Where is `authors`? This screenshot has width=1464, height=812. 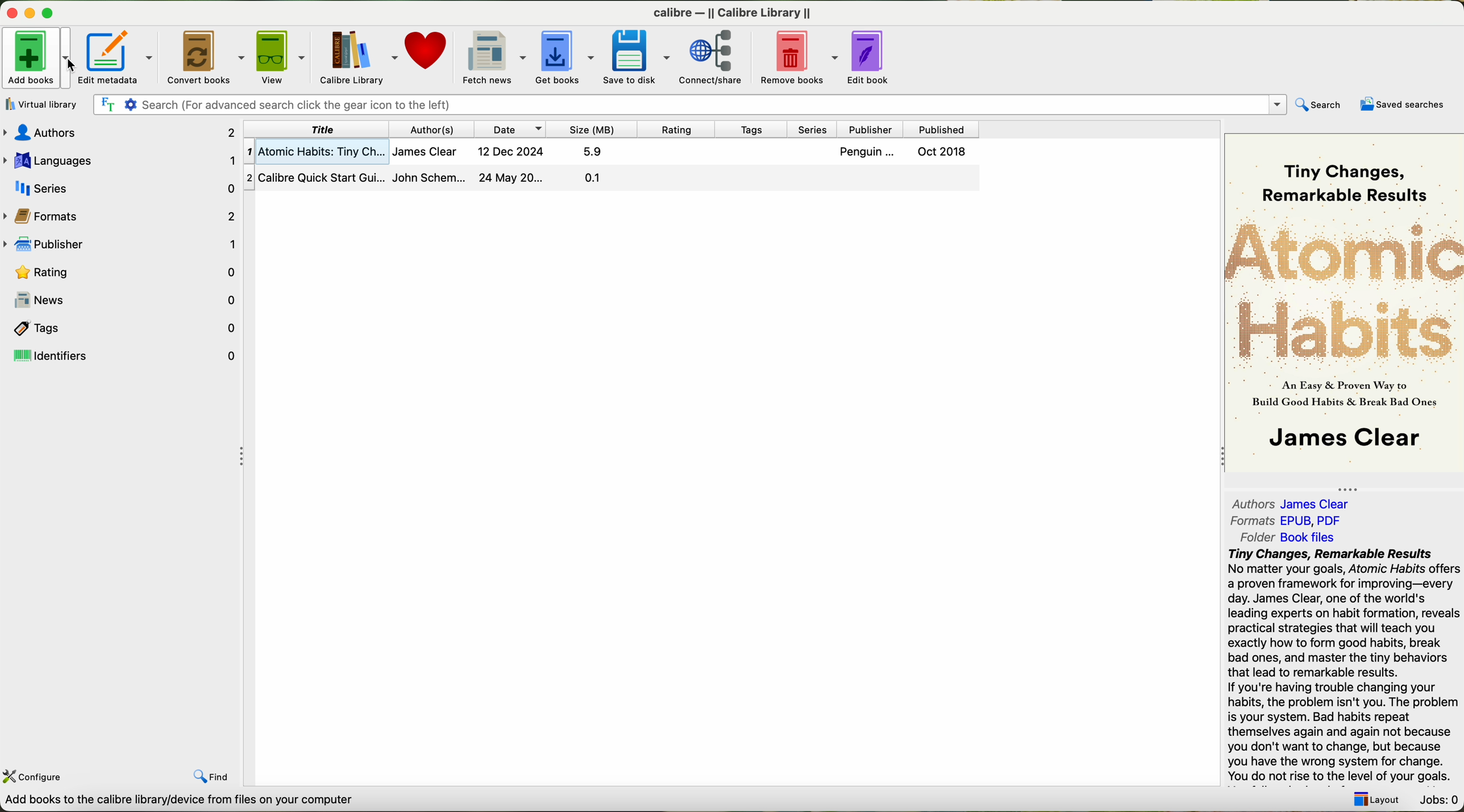 authors is located at coordinates (427, 129).